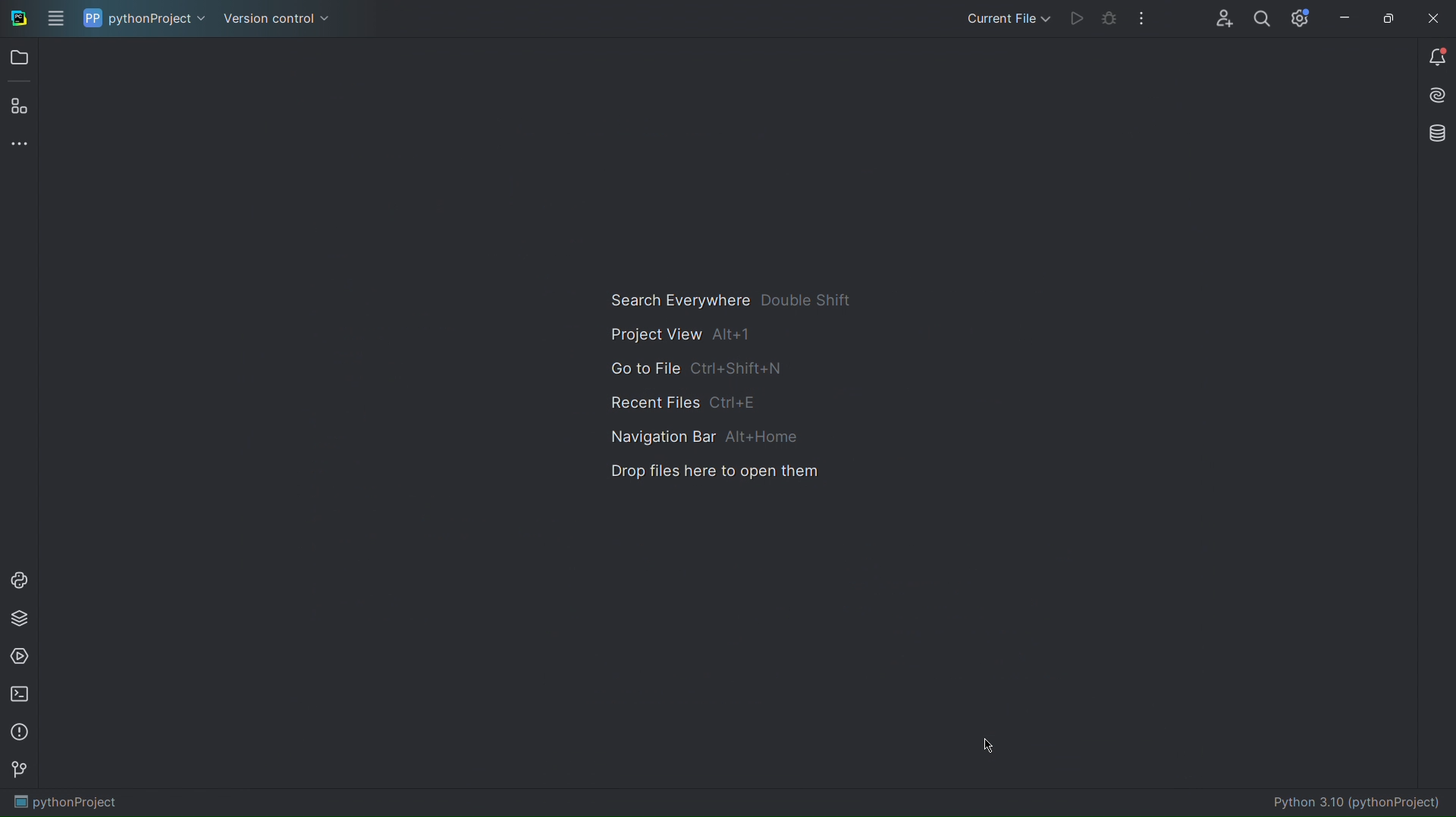  I want to click on Close, so click(1437, 17).